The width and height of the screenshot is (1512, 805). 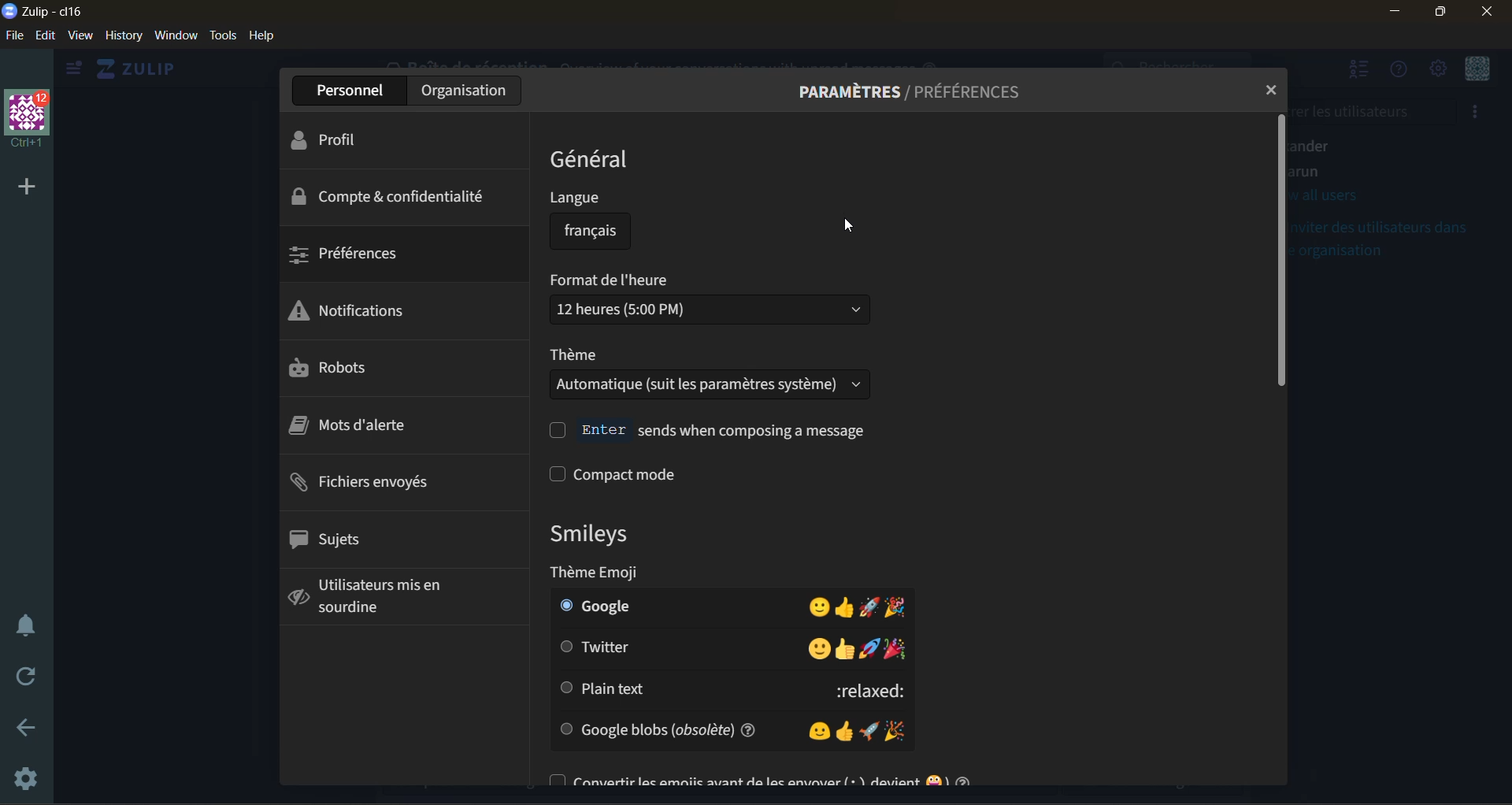 What do you see at coordinates (836, 165) in the screenshot?
I see `language change notification` at bounding box center [836, 165].